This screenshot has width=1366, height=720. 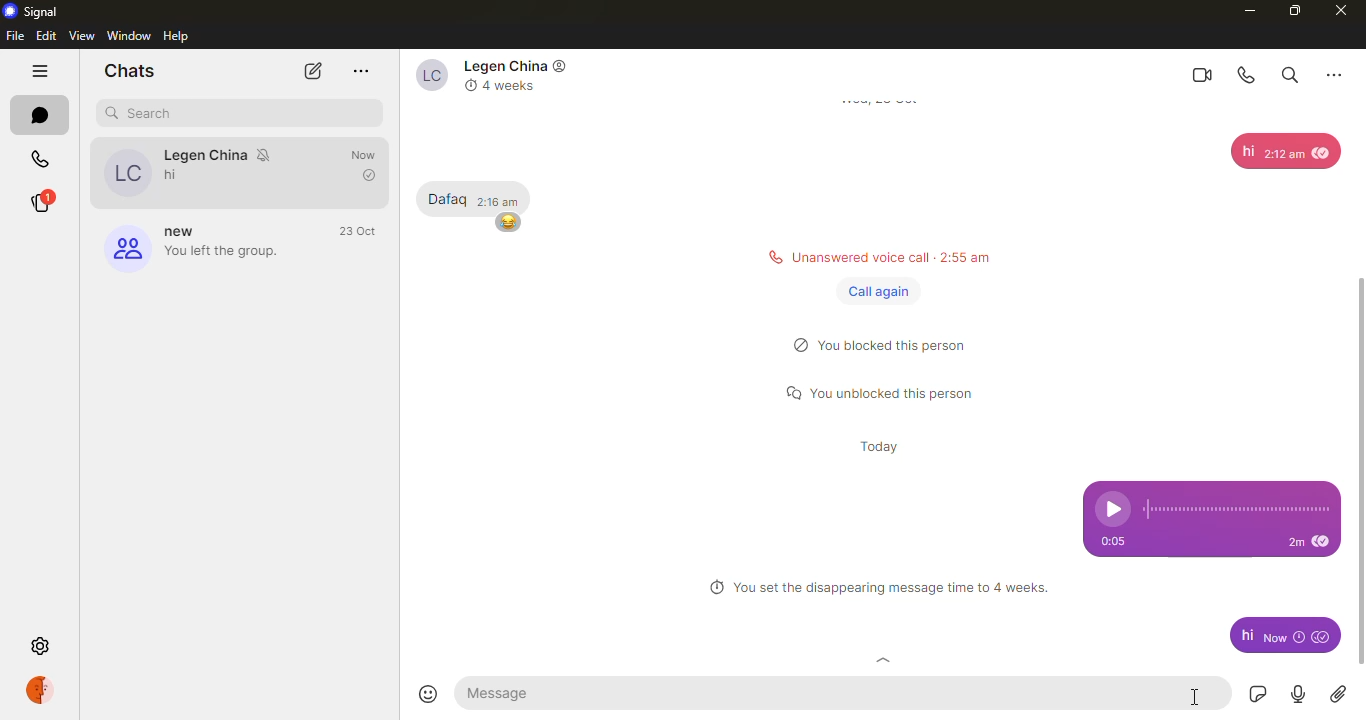 What do you see at coordinates (130, 35) in the screenshot?
I see `window` at bounding box center [130, 35].